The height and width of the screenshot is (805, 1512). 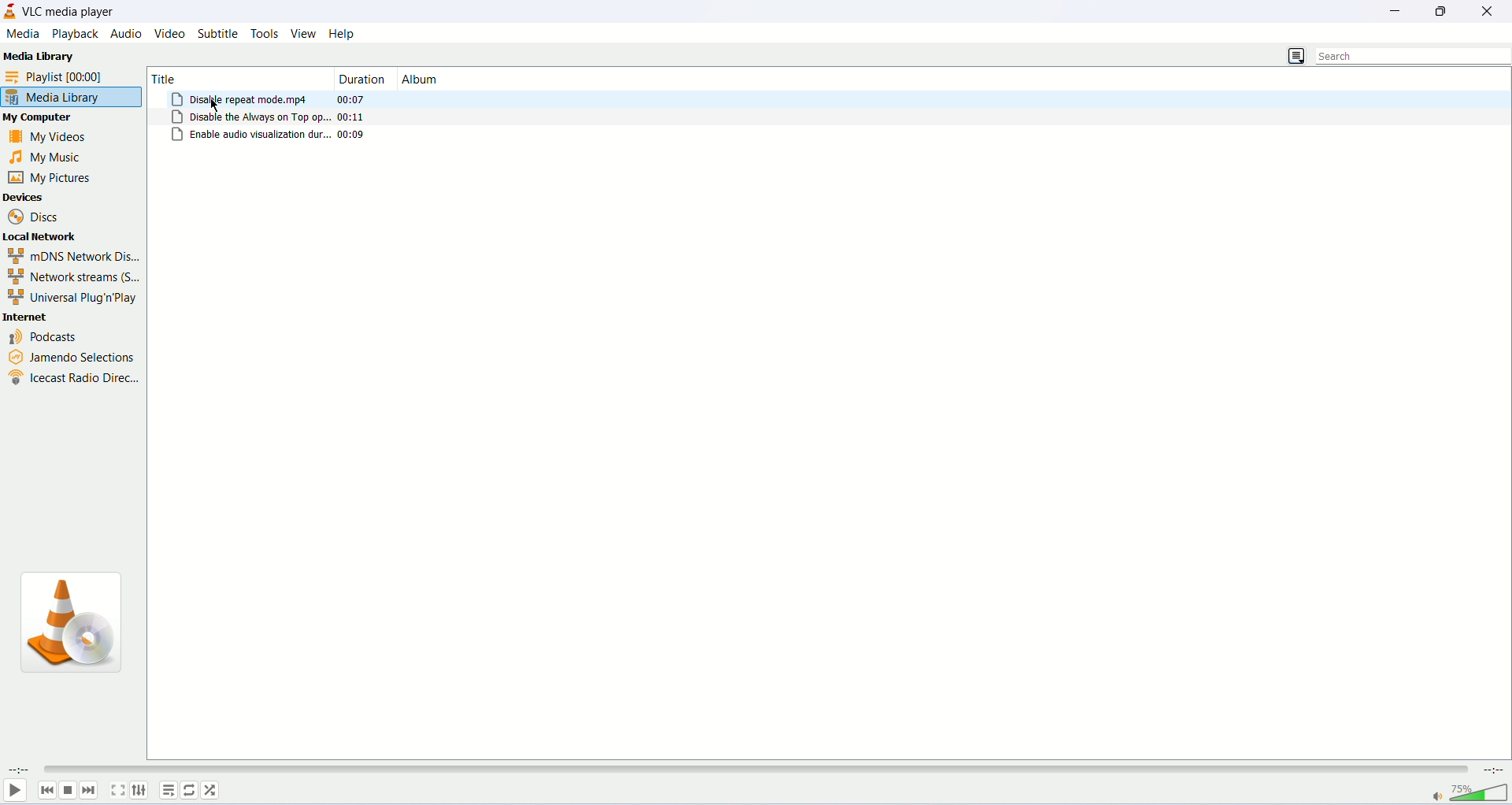 What do you see at coordinates (50, 177) in the screenshot?
I see `my pictures` at bounding box center [50, 177].